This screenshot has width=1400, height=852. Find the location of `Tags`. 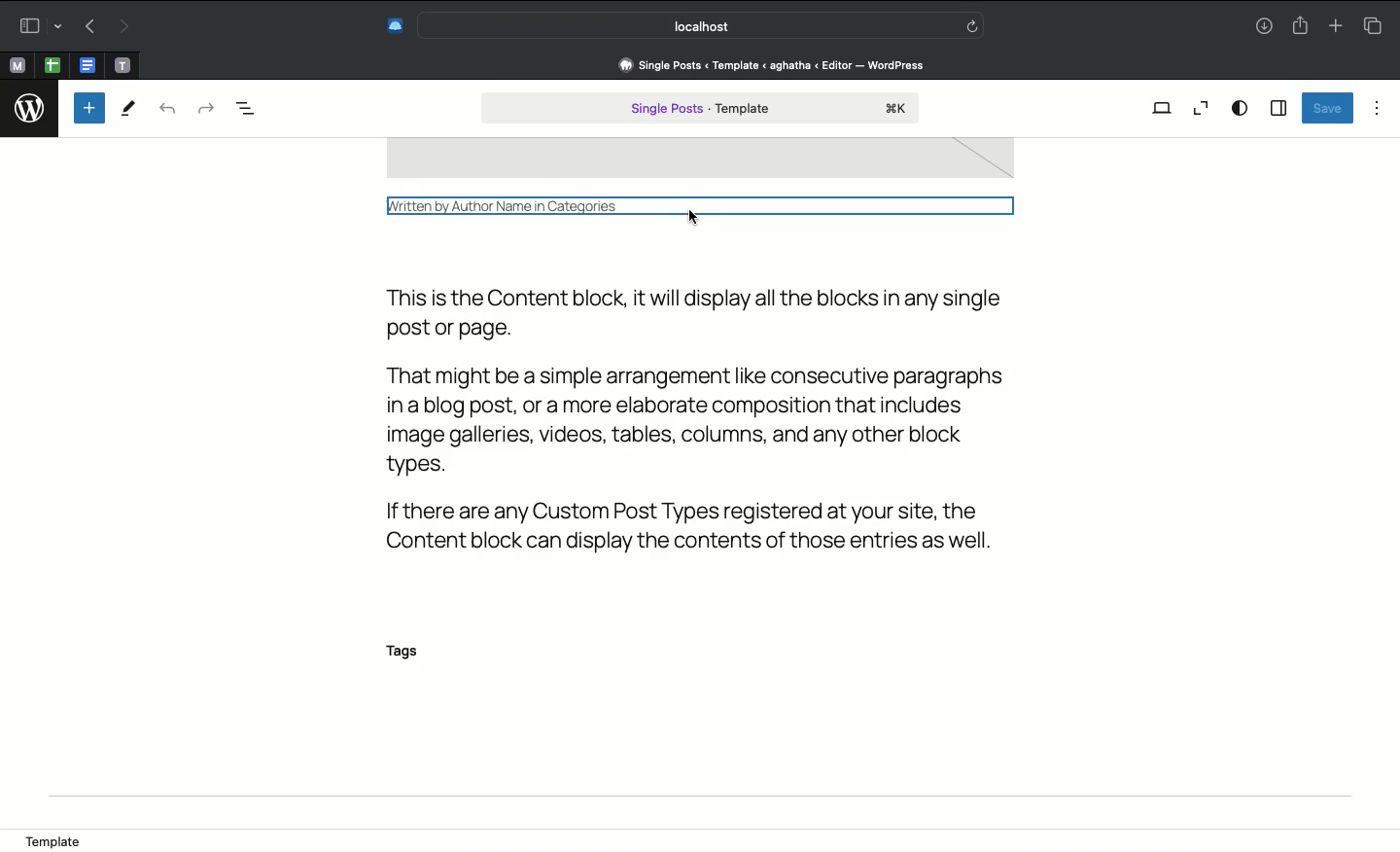

Tags is located at coordinates (413, 653).